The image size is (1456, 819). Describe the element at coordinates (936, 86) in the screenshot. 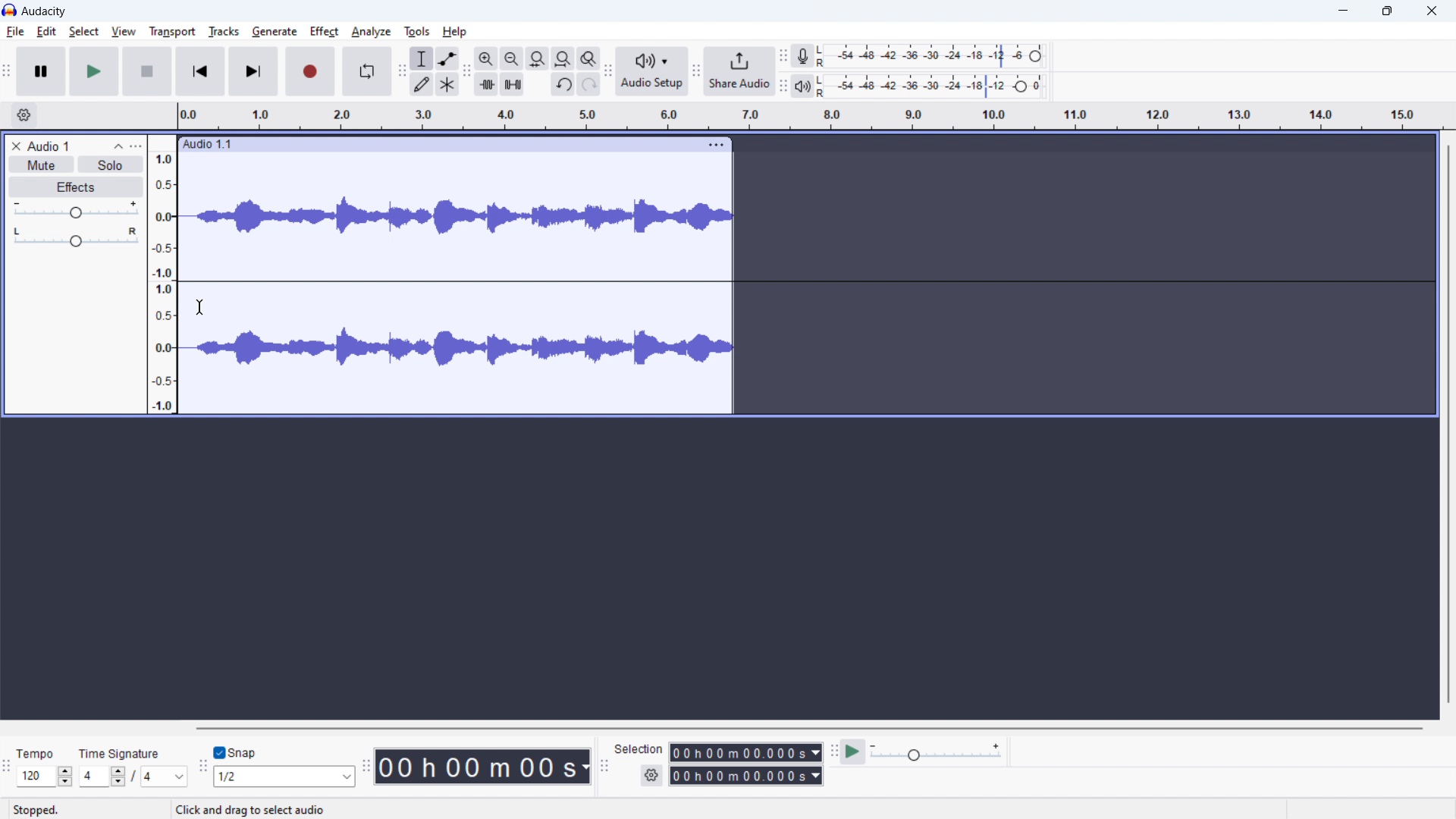

I see `playback level` at that location.